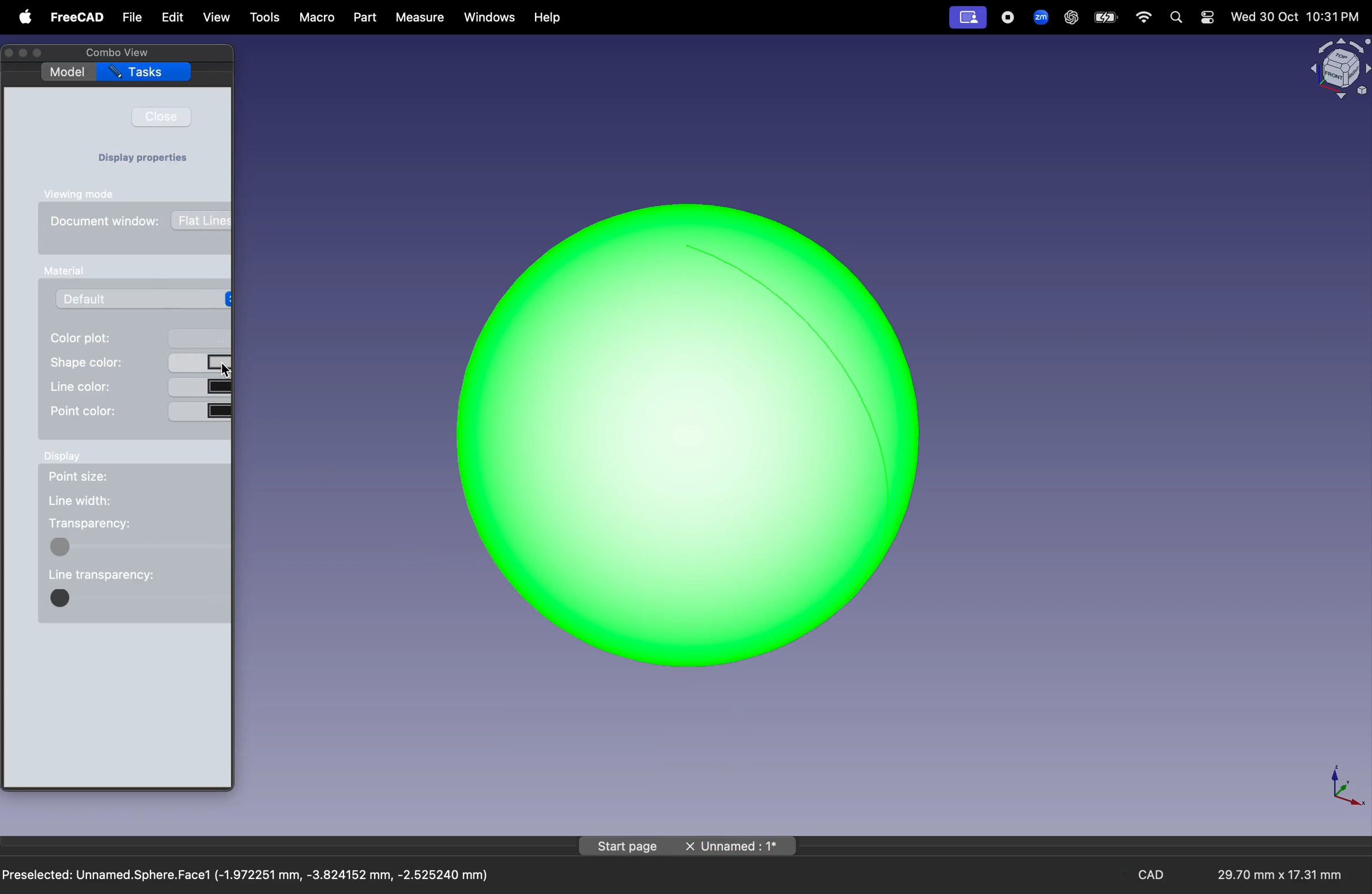  What do you see at coordinates (1270, 876) in the screenshot?
I see `29.70 mm x 17.31 mm` at bounding box center [1270, 876].